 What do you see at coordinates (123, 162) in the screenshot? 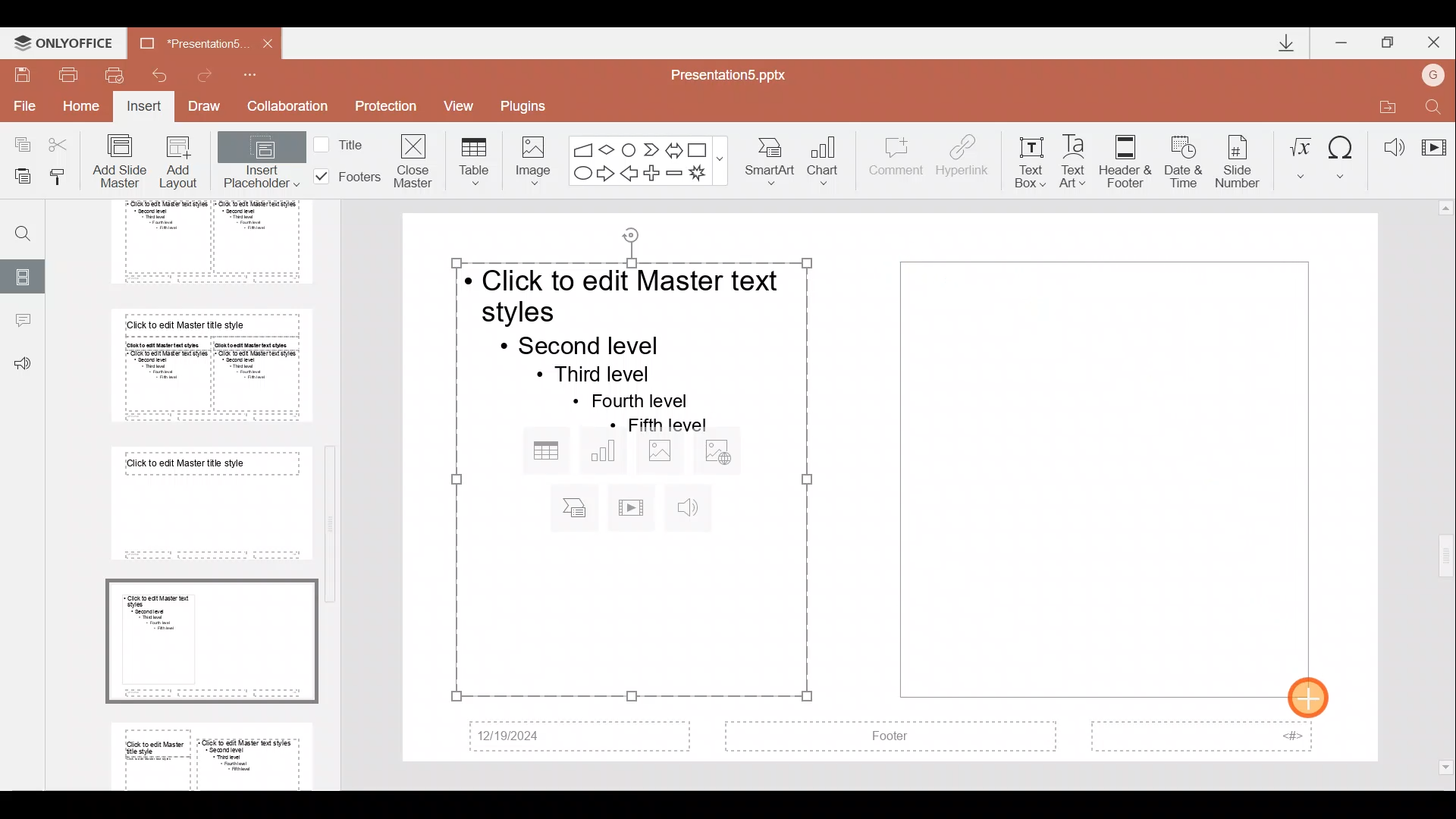
I see `Add slide master` at bounding box center [123, 162].